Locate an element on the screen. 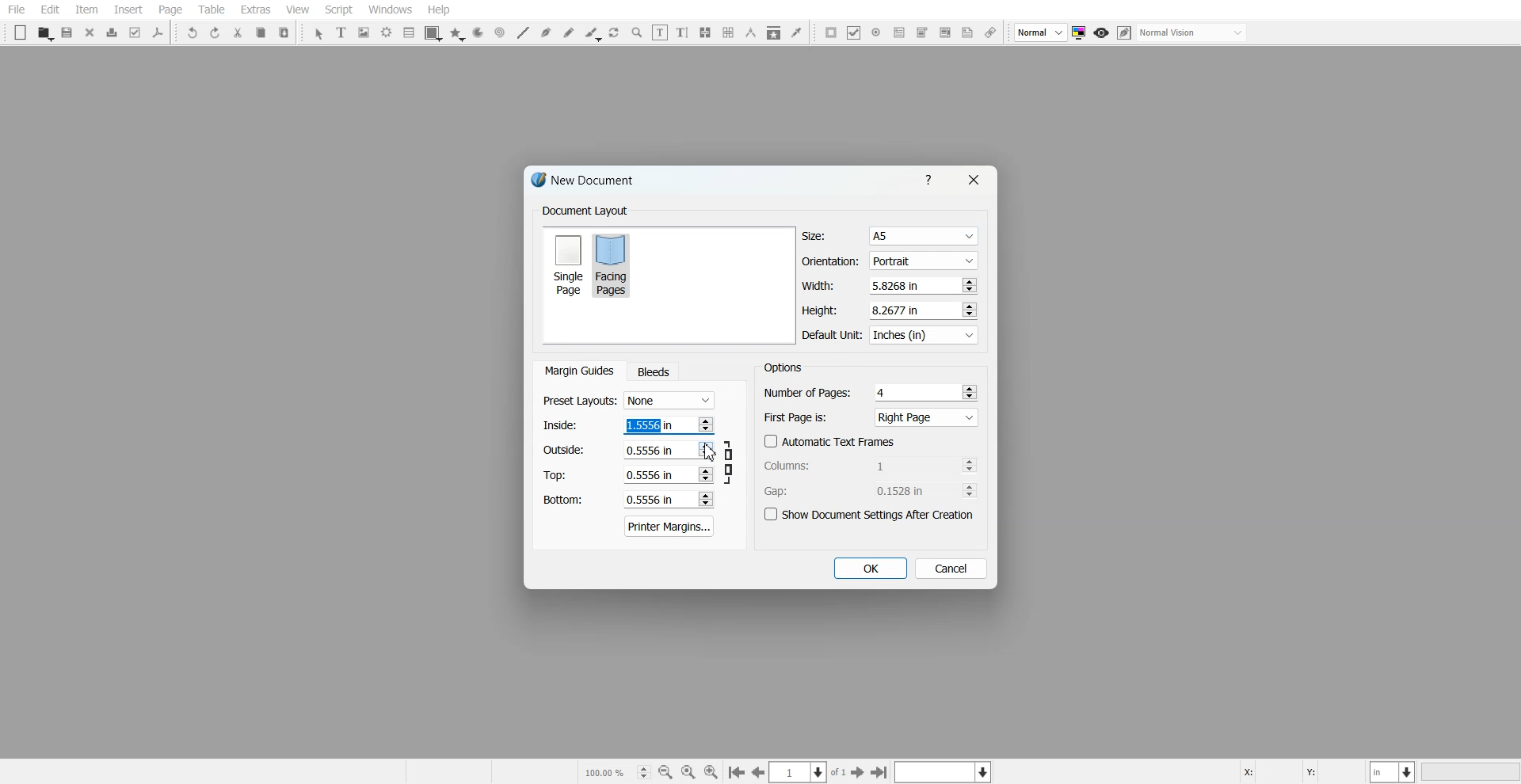  Cut is located at coordinates (238, 32).